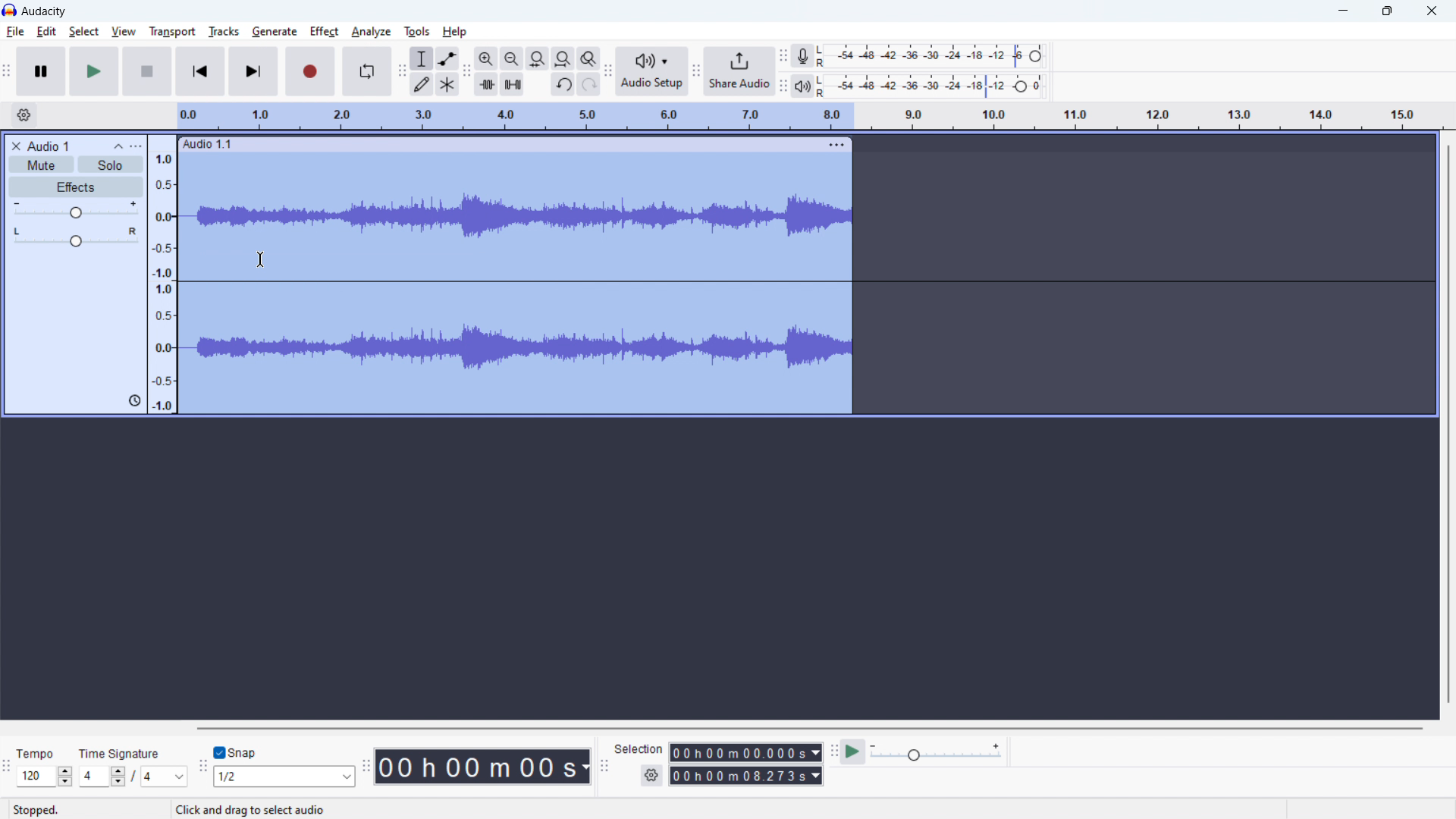  Describe the element at coordinates (14, 32) in the screenshot. I see `file` at that location.